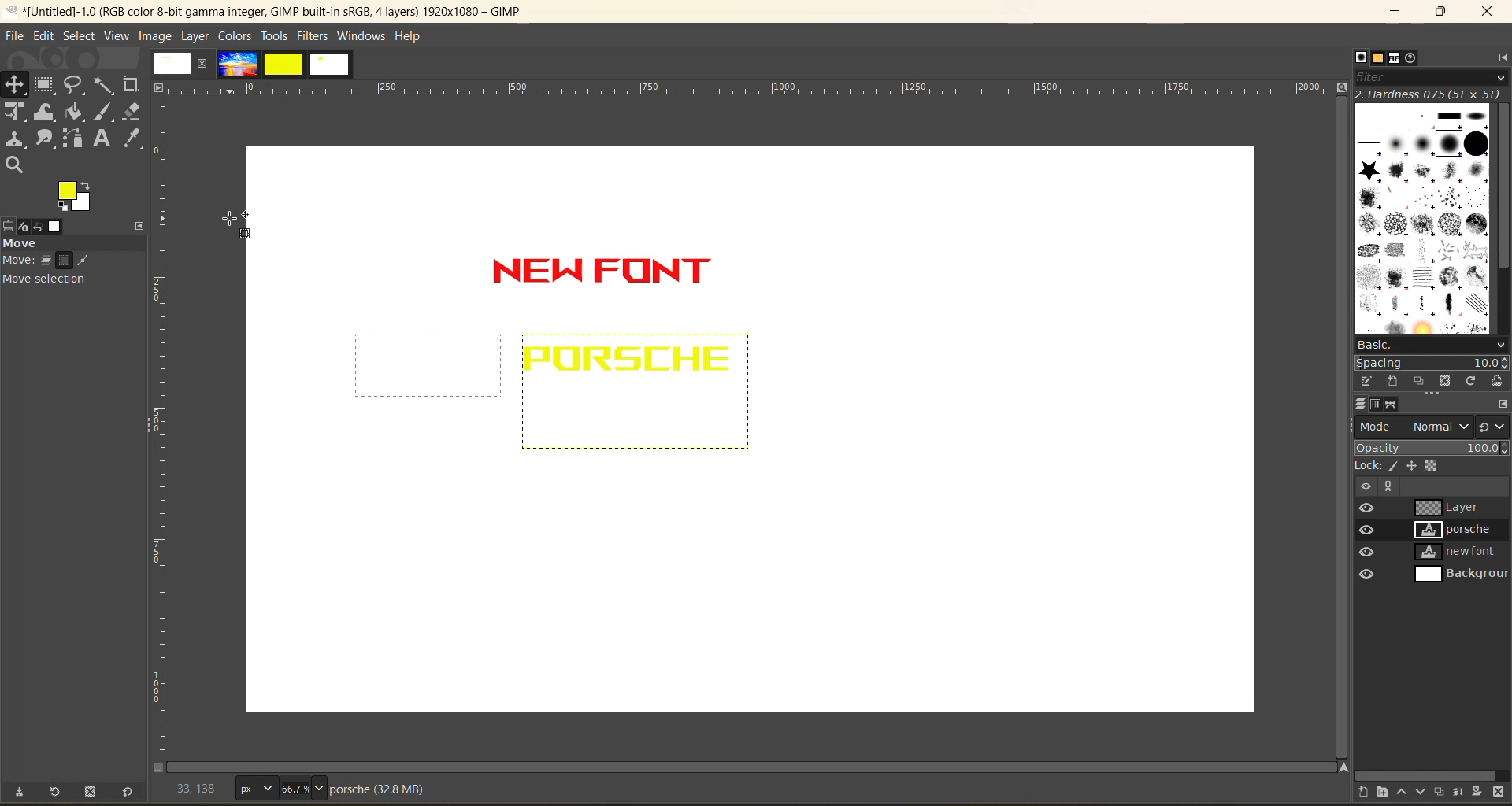 This screenshot has width=1512, height=806. I want to click on app name and file name, so click(265, 10).